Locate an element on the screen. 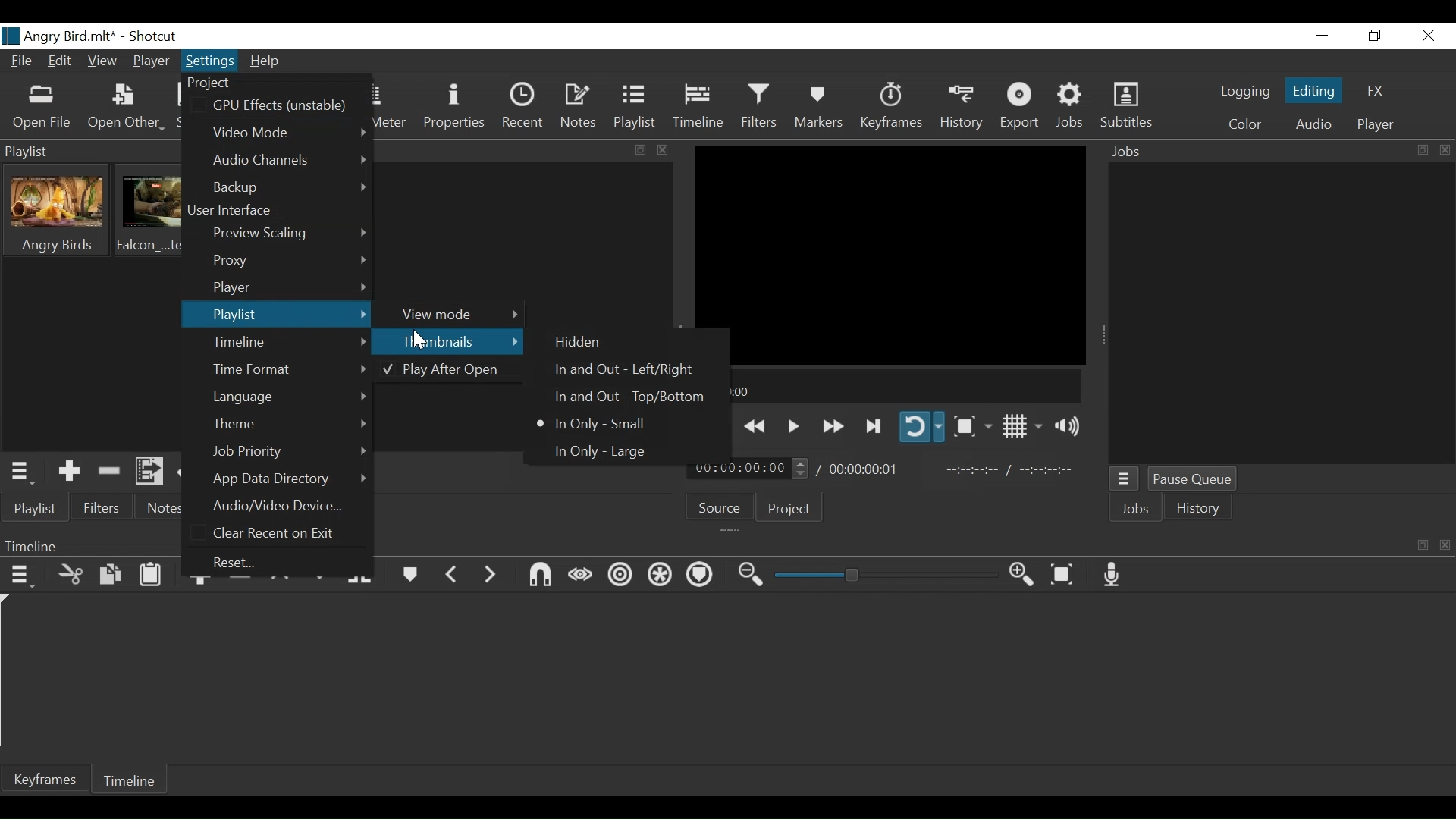 The width and height of the screenshot is (1456, 819). Clip is located at coordinates (58, 211).